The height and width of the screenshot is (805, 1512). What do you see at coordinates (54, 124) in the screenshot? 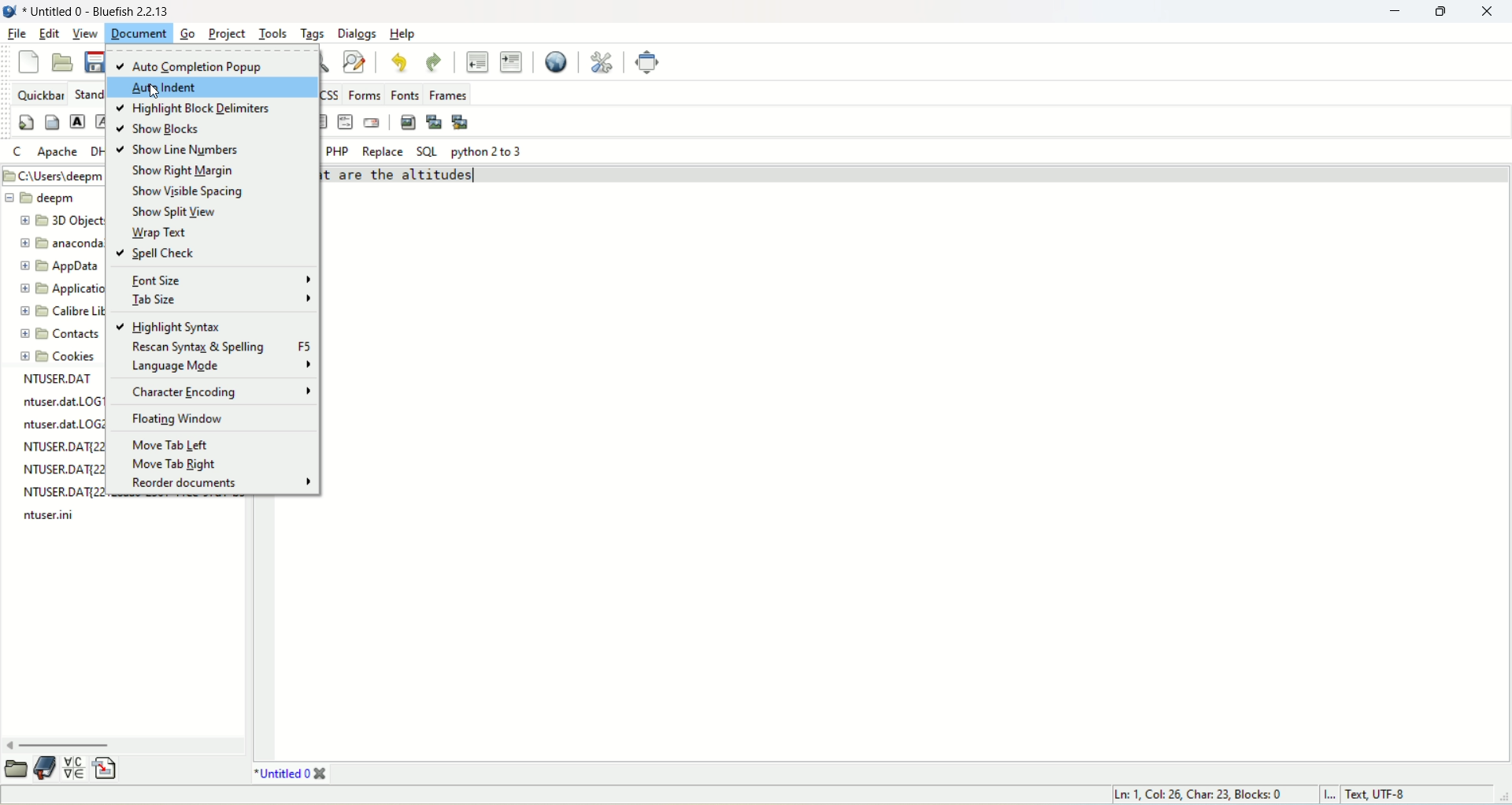
I see `body` at bounding box center [54, 124].